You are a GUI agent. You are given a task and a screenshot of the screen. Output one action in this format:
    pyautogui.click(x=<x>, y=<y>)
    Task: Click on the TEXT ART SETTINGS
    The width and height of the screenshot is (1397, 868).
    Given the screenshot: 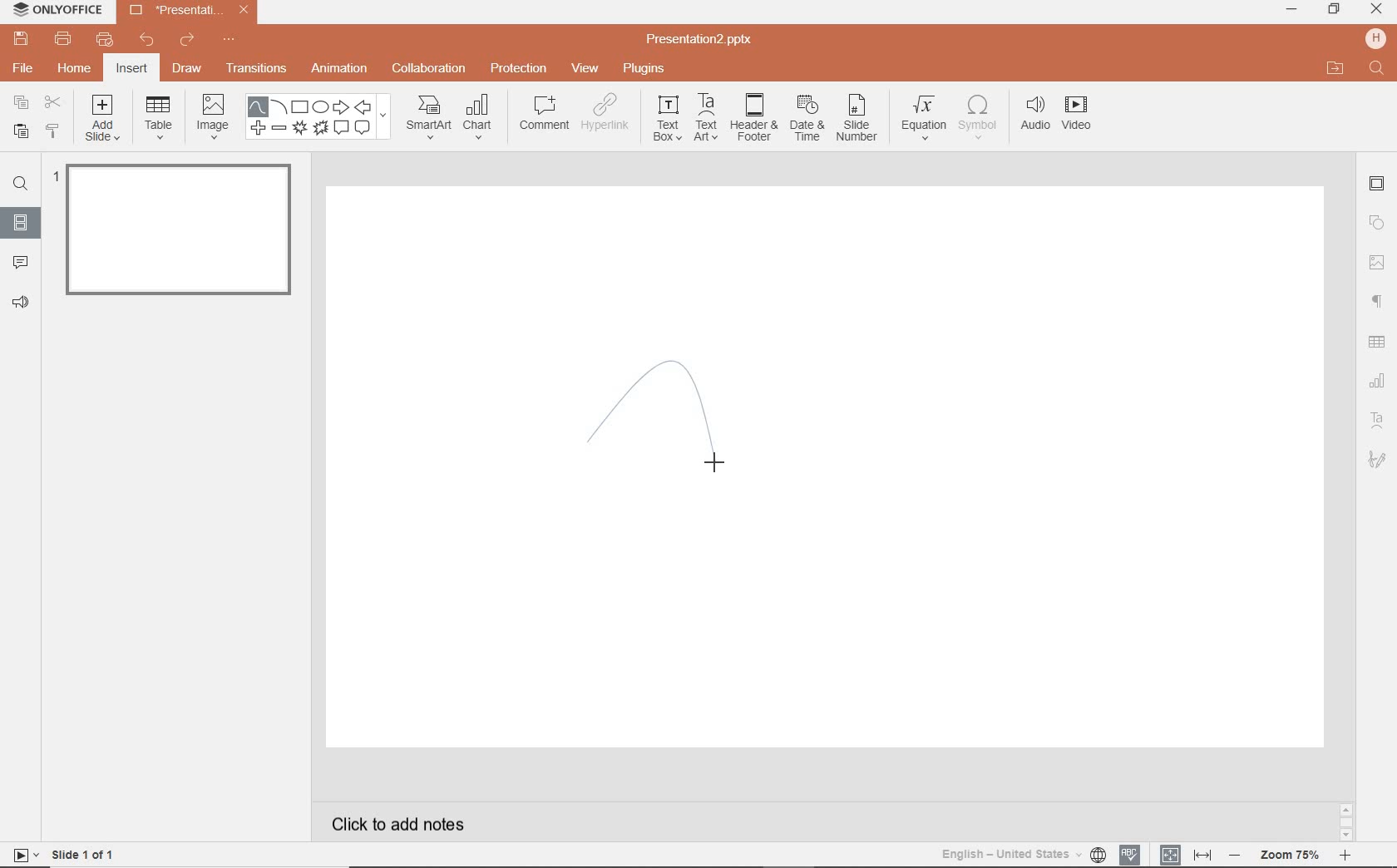 What is the action you would take?
    pyautogui.click(x=1379, y=421)
    